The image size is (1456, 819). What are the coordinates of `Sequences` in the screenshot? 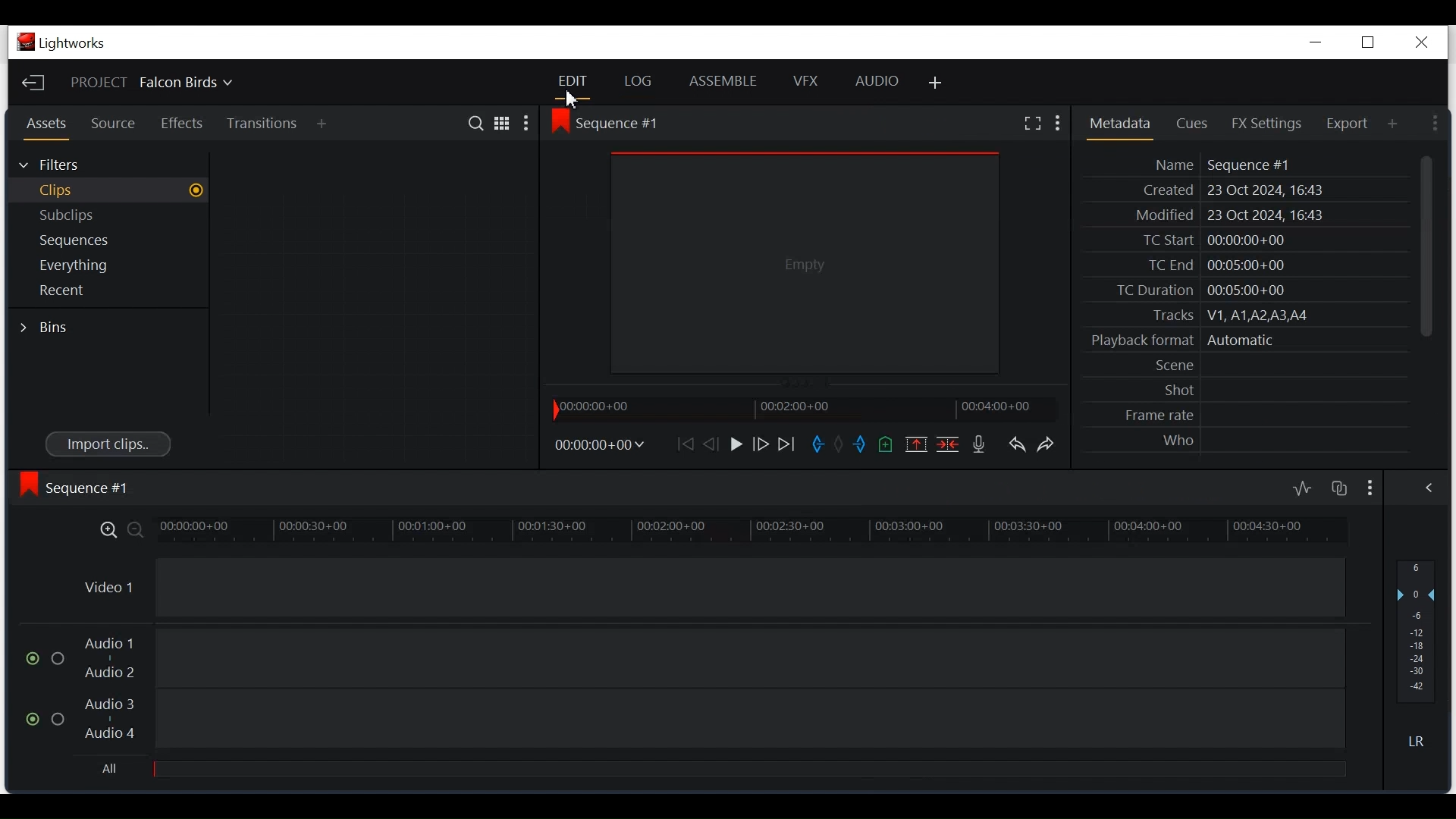 It's located at (106, 240).